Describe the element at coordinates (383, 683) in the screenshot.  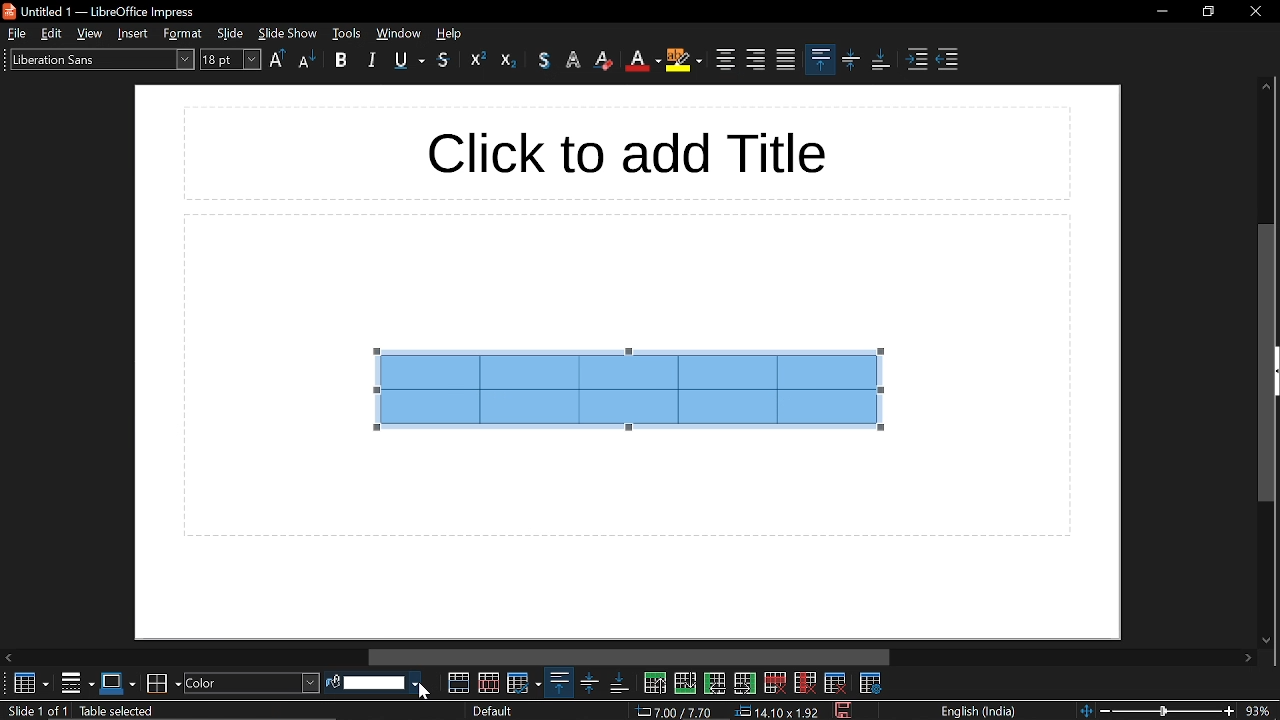
I see `fill color` at that location.